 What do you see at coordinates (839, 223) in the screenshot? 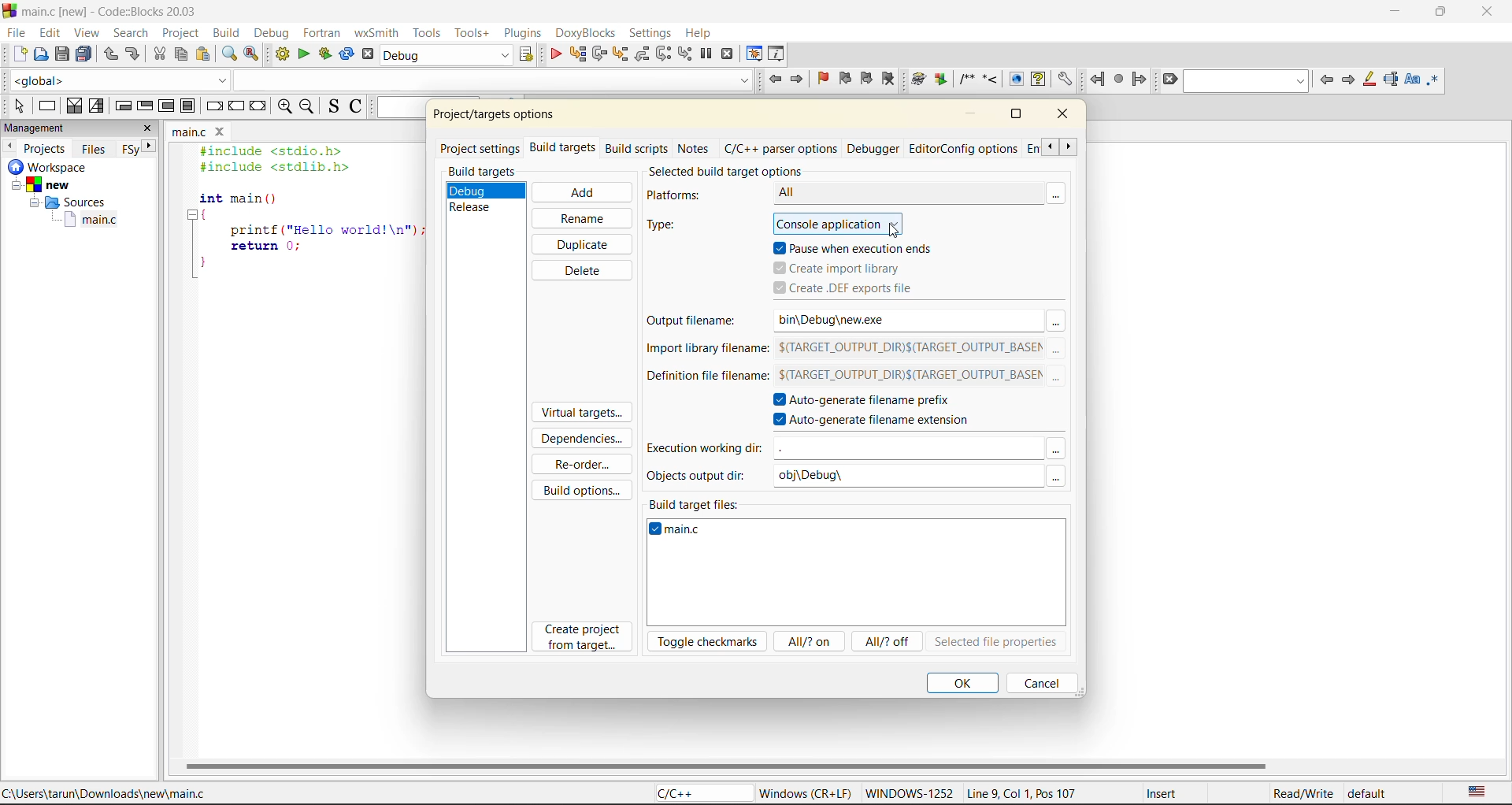
I see `console application` at bounding box center [839, 223].